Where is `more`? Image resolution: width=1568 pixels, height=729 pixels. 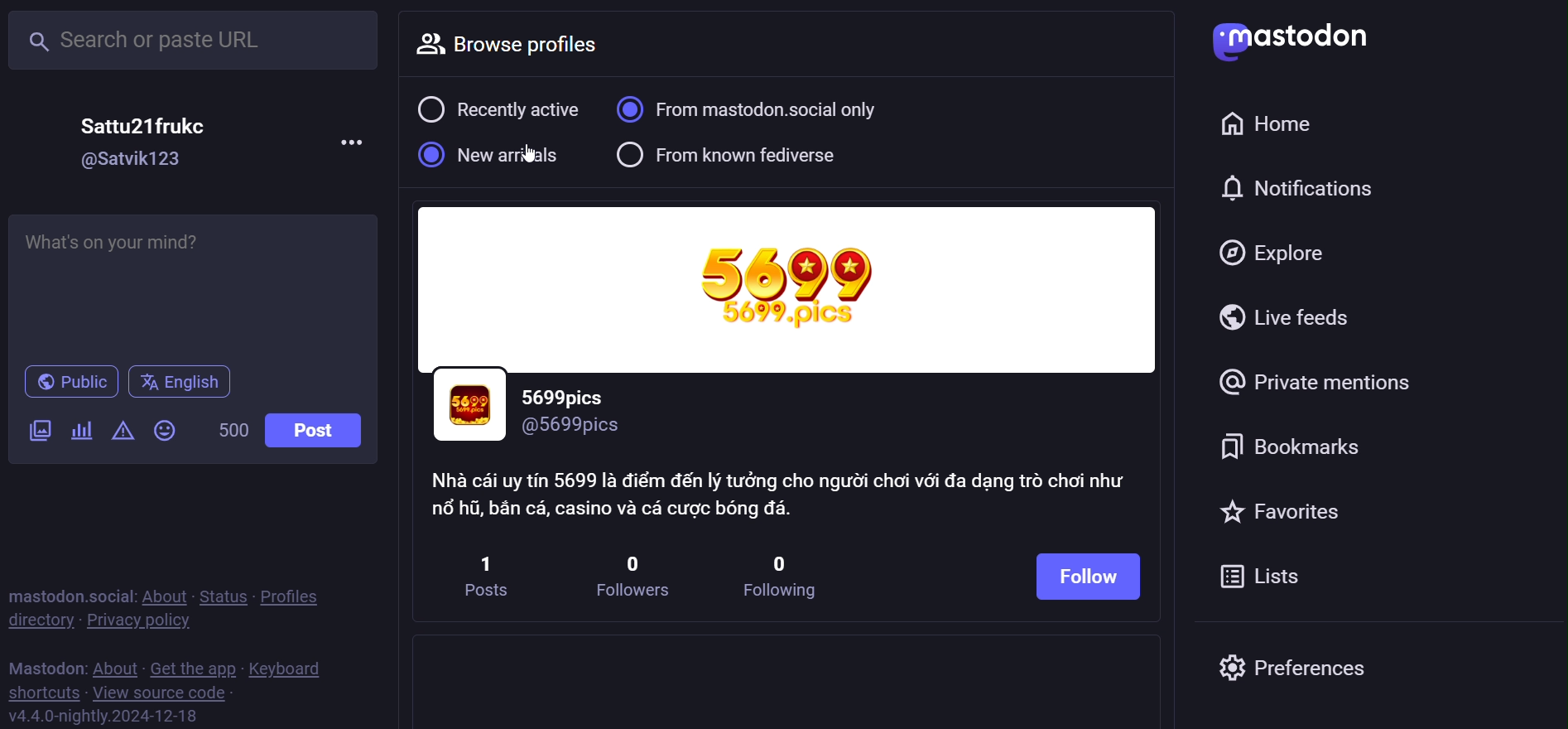 more is located at coordinates (353, 142).